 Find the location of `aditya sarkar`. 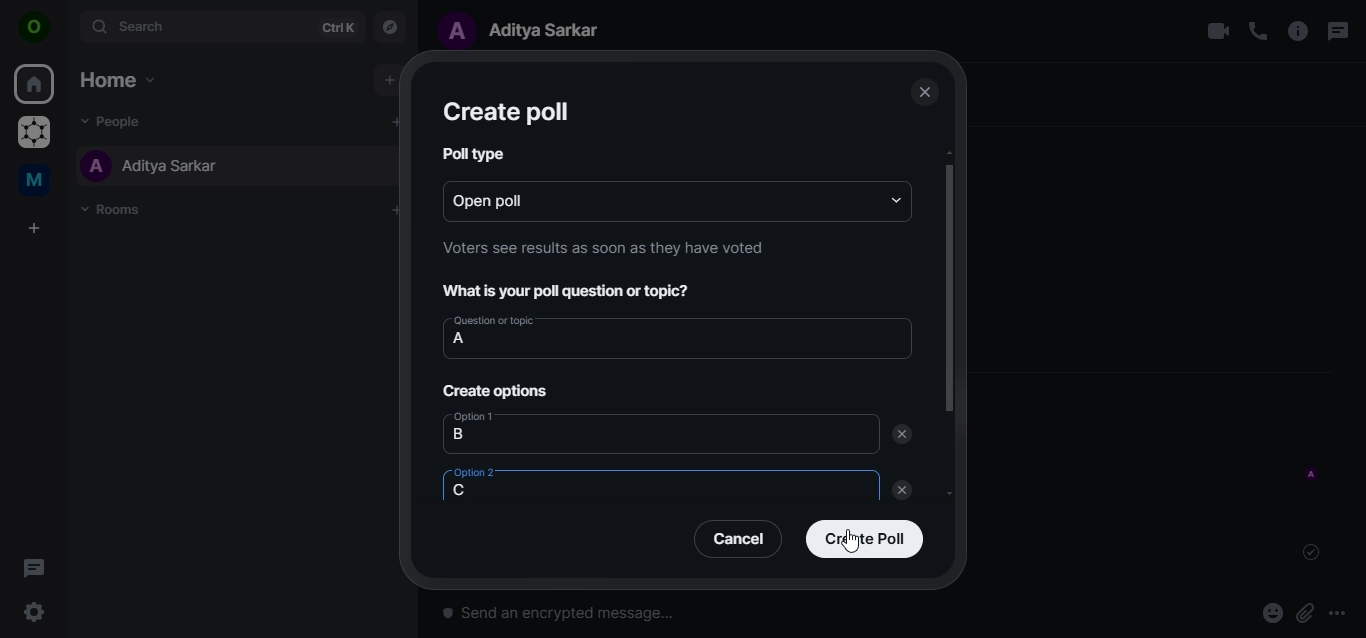

aditya sarkar is located at coordinates (528, 29).